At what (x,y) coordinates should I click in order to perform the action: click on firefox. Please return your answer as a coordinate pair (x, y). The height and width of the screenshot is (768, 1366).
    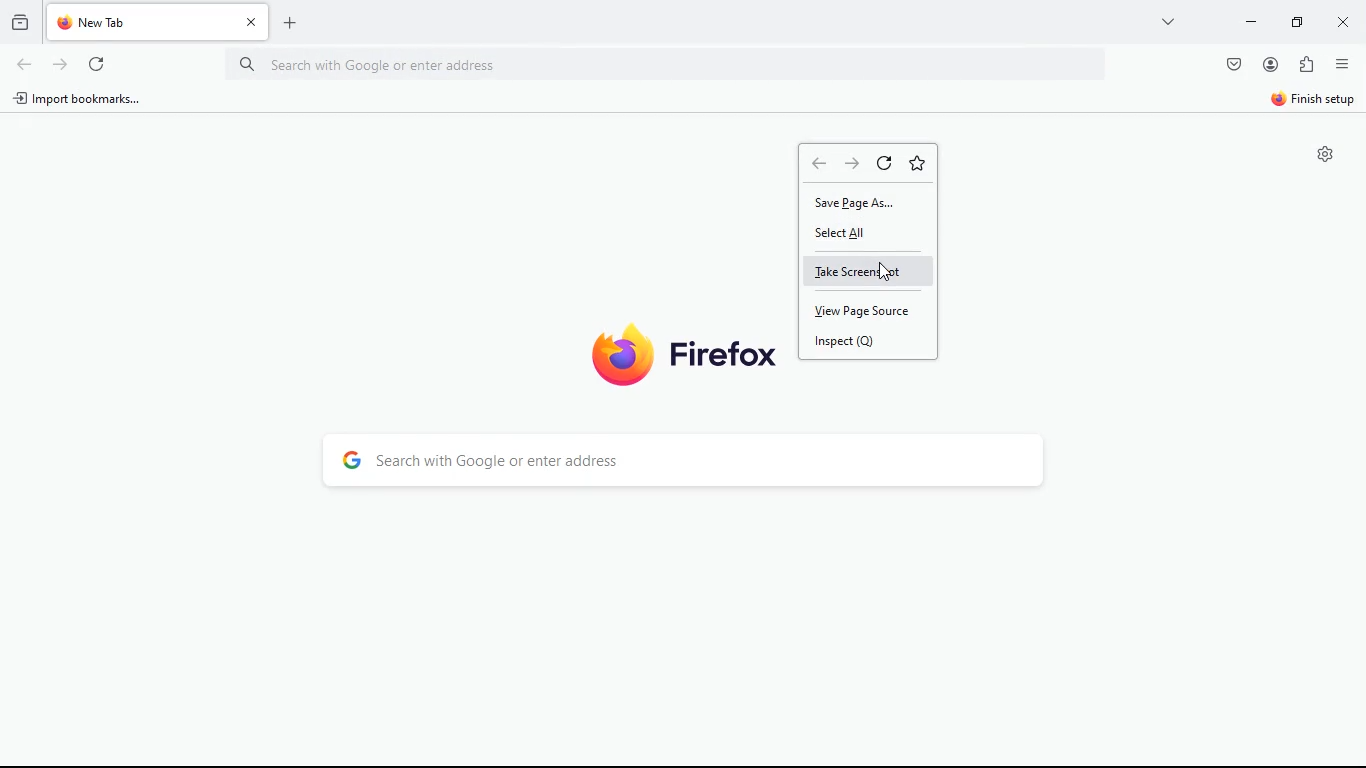
    Looking at the image, I should click on (680, 354).